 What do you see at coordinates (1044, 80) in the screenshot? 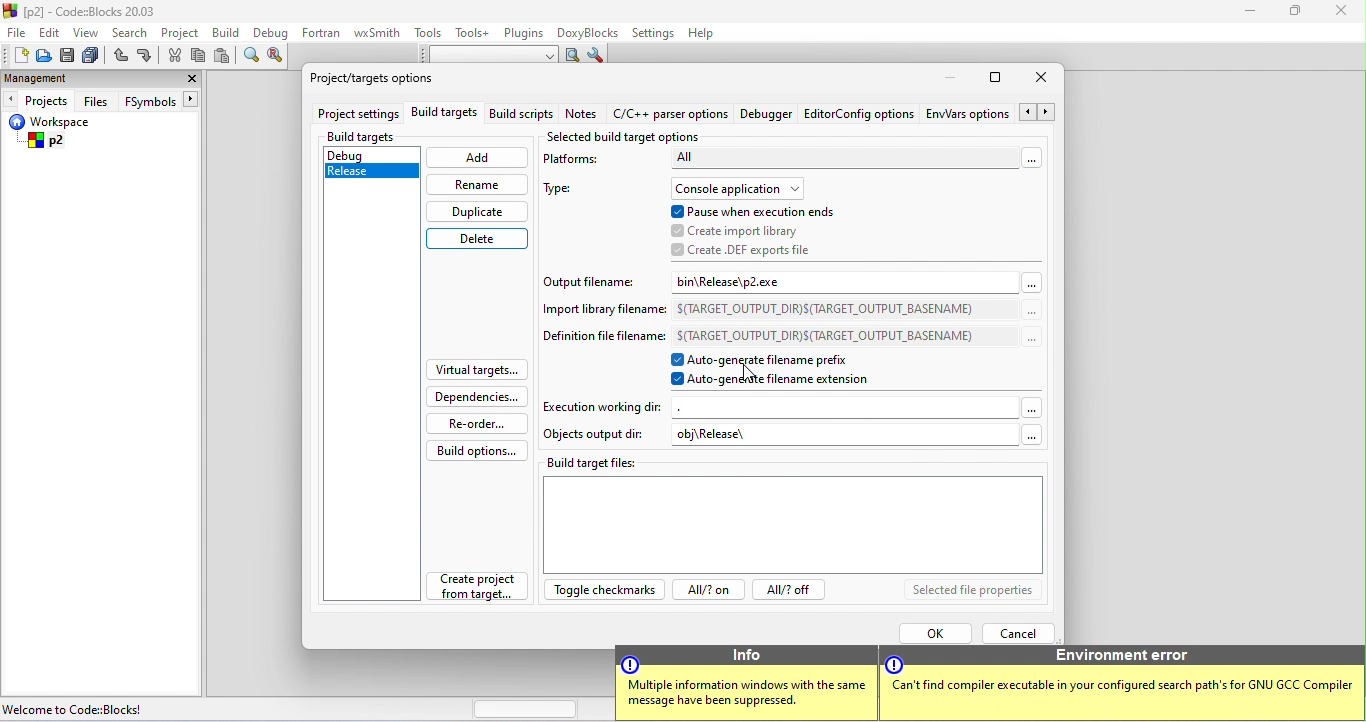
I see `close` at bounding box center [1044, 80].